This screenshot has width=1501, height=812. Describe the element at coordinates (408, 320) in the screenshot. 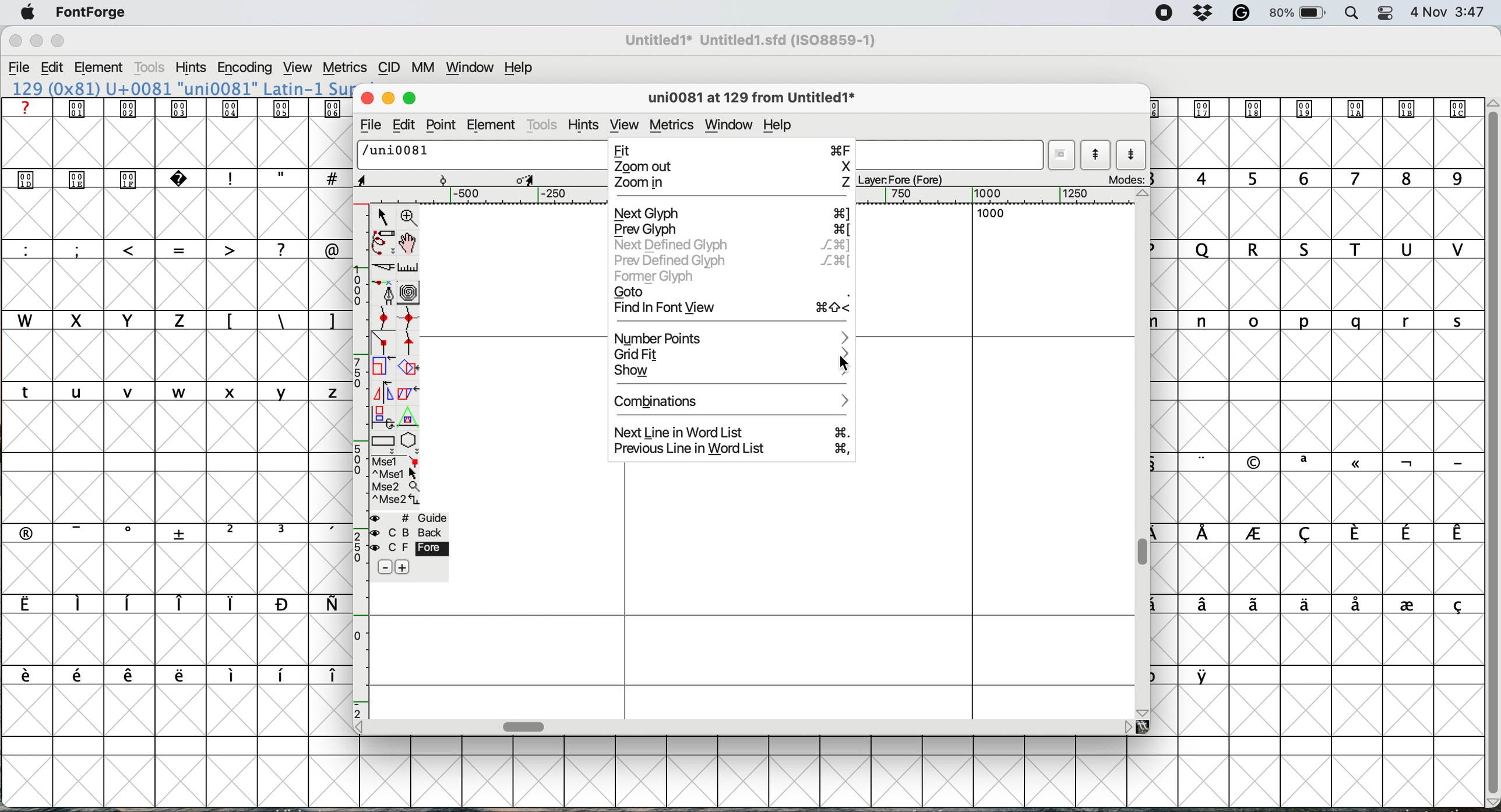

I see `add a curve point horizontal or vertical` at that location.